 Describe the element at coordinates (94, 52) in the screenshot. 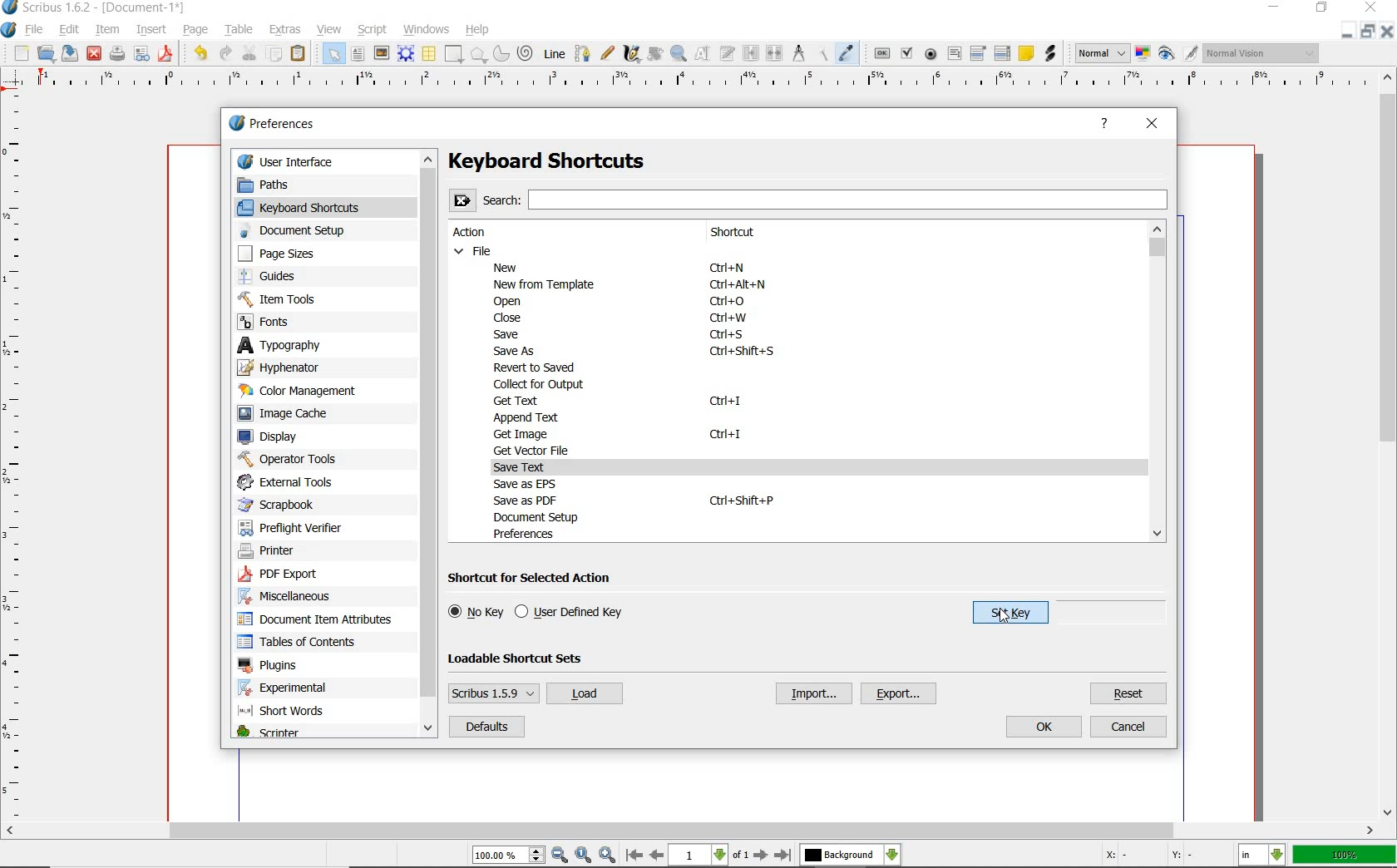

I see `close` at that location.